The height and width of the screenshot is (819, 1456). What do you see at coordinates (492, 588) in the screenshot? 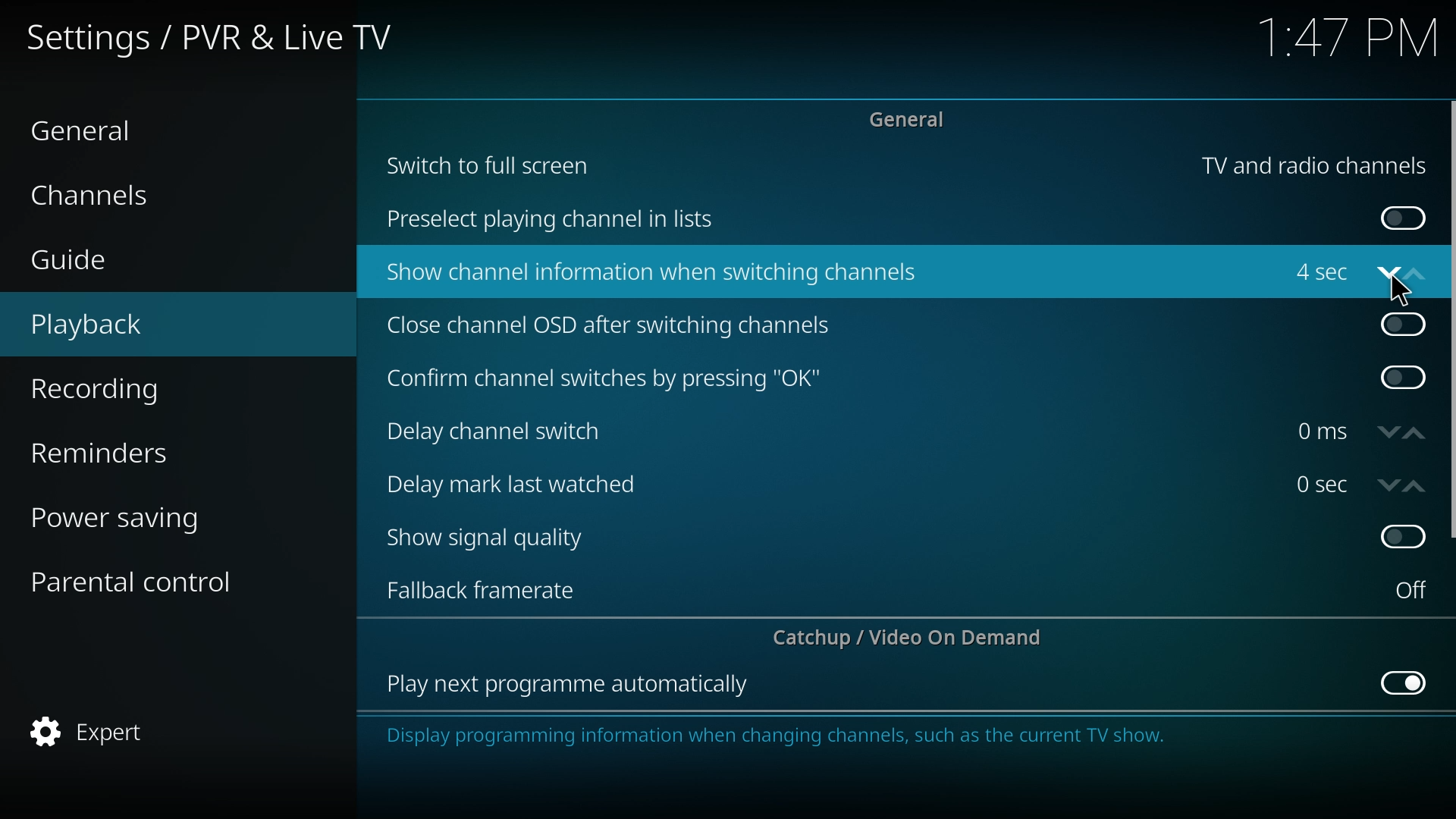
I see `fall back framerate` at bounding box center [492, 588].